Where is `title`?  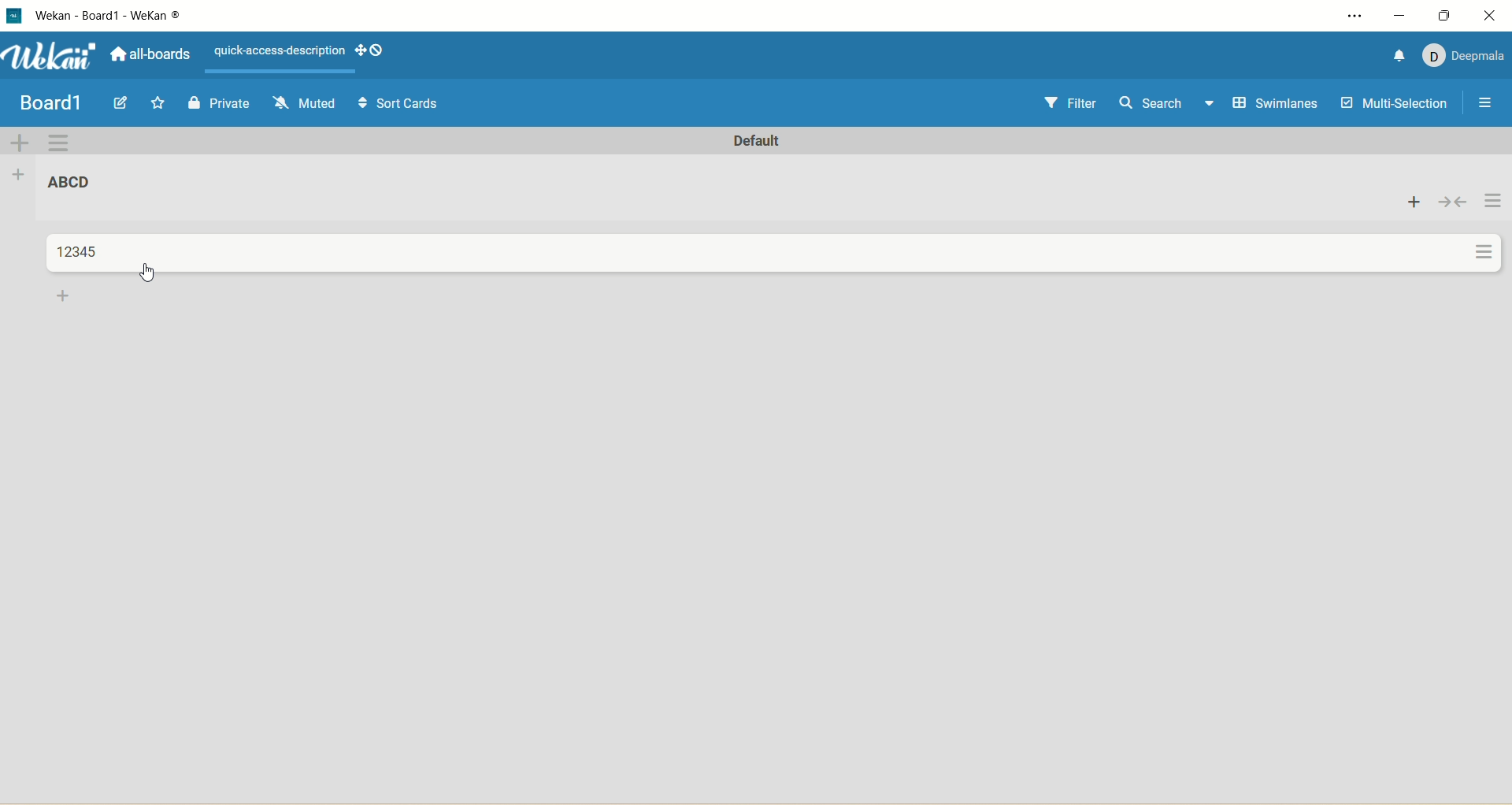 title is located at coordinates (50, 103).